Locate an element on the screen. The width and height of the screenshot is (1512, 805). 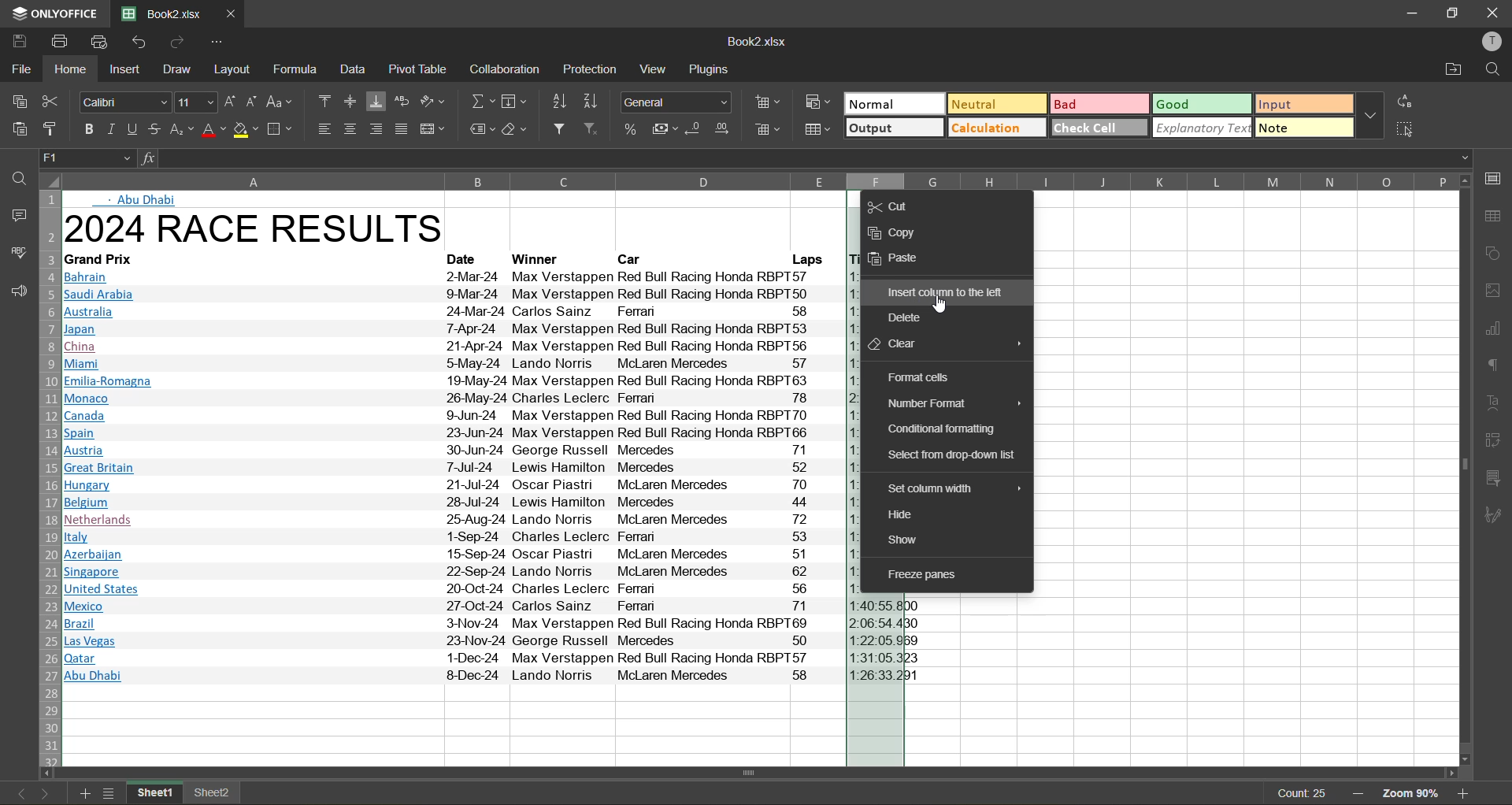
ISpain 23-Jun-24 Max Verstappen Red Bull Racing Honda RBPT66 1:28:20.227 is located at coordinates (454, 433).